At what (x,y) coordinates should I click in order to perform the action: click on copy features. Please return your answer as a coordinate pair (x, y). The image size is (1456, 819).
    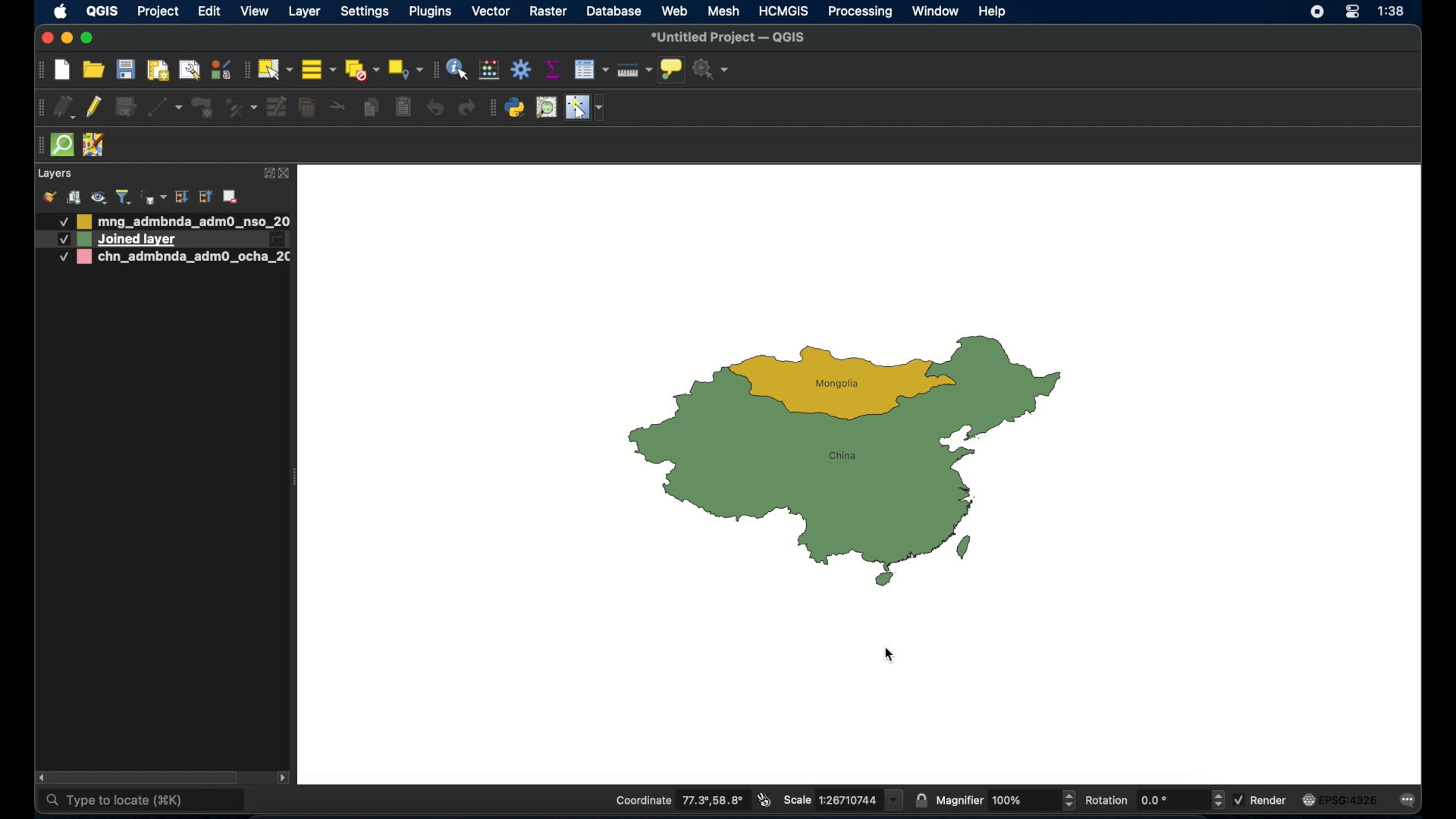
    Looking at the image, I should click on (372, 110).